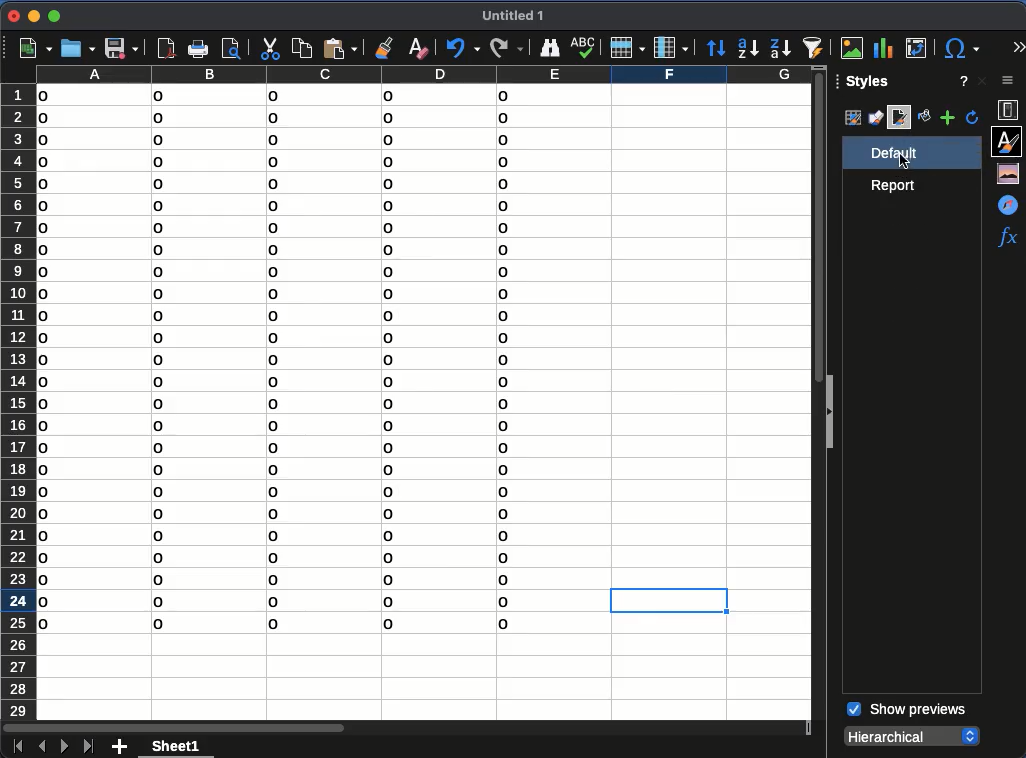  Describe the element at coordinates (33, 16) in the screenshot. I see `minimize` at that location.